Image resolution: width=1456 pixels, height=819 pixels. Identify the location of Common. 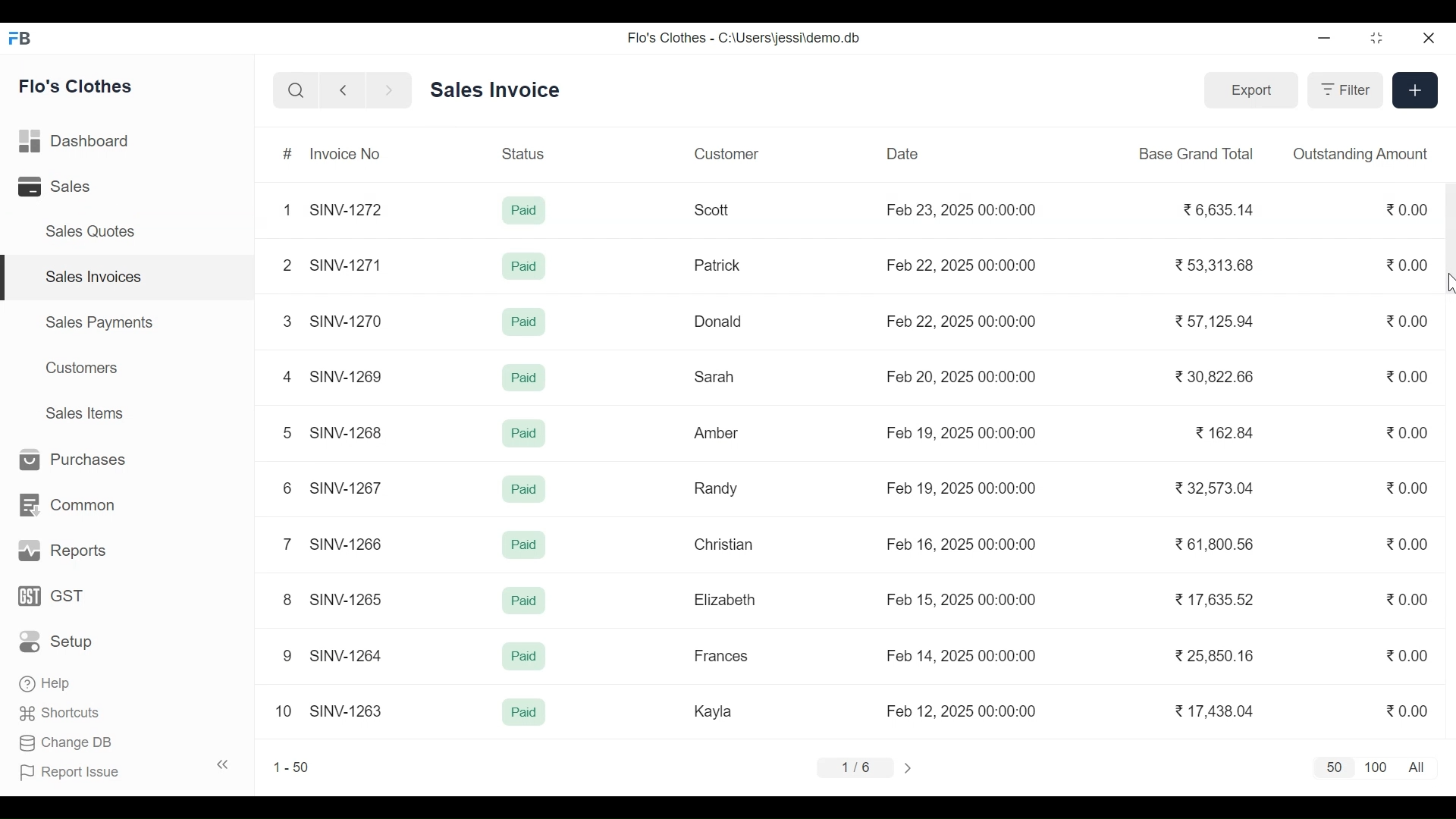
(64, 506).